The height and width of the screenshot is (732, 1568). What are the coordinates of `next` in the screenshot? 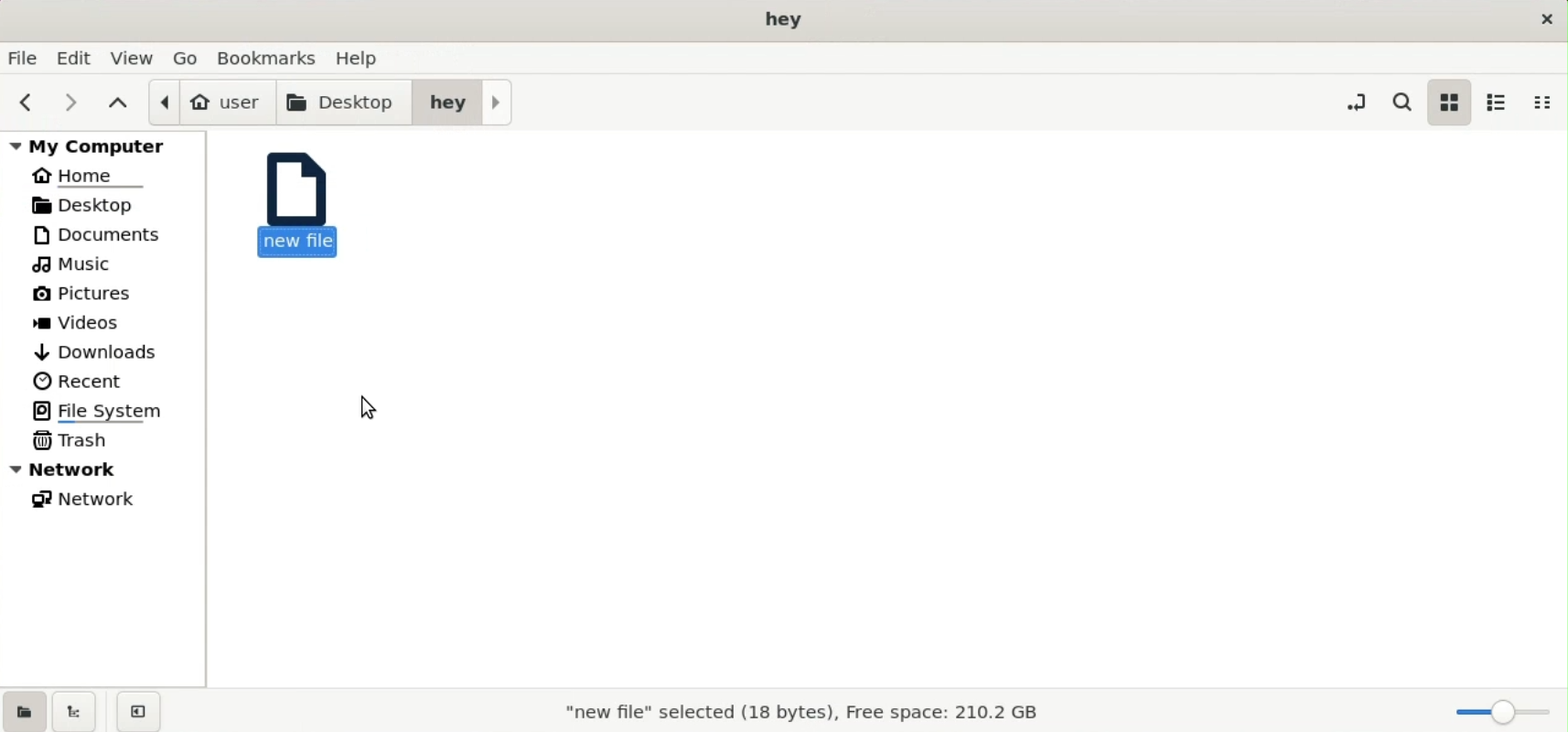 It's located at (65, 102).